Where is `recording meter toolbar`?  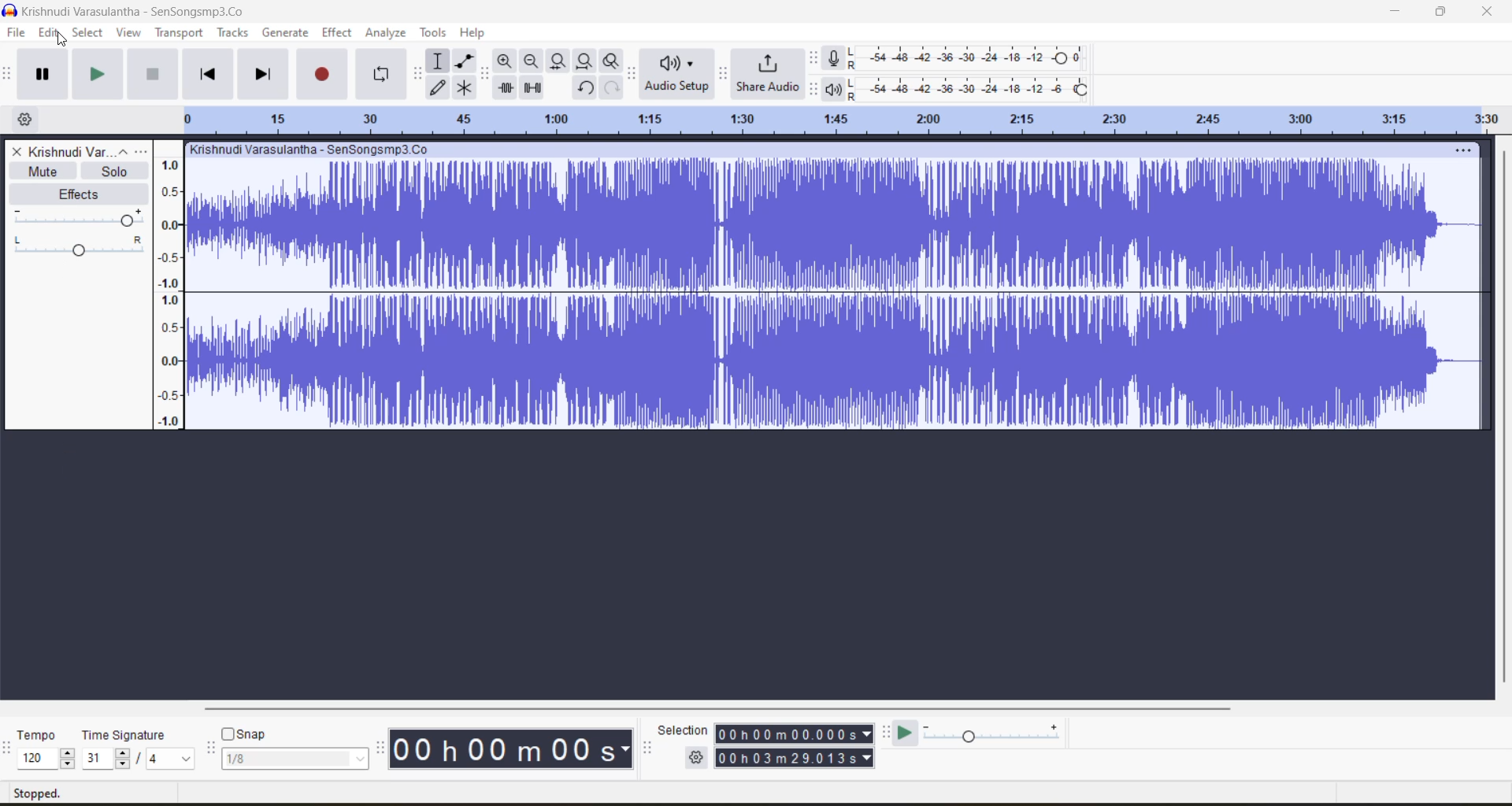 recording meter toolbar is located at coordinates (815, 58).